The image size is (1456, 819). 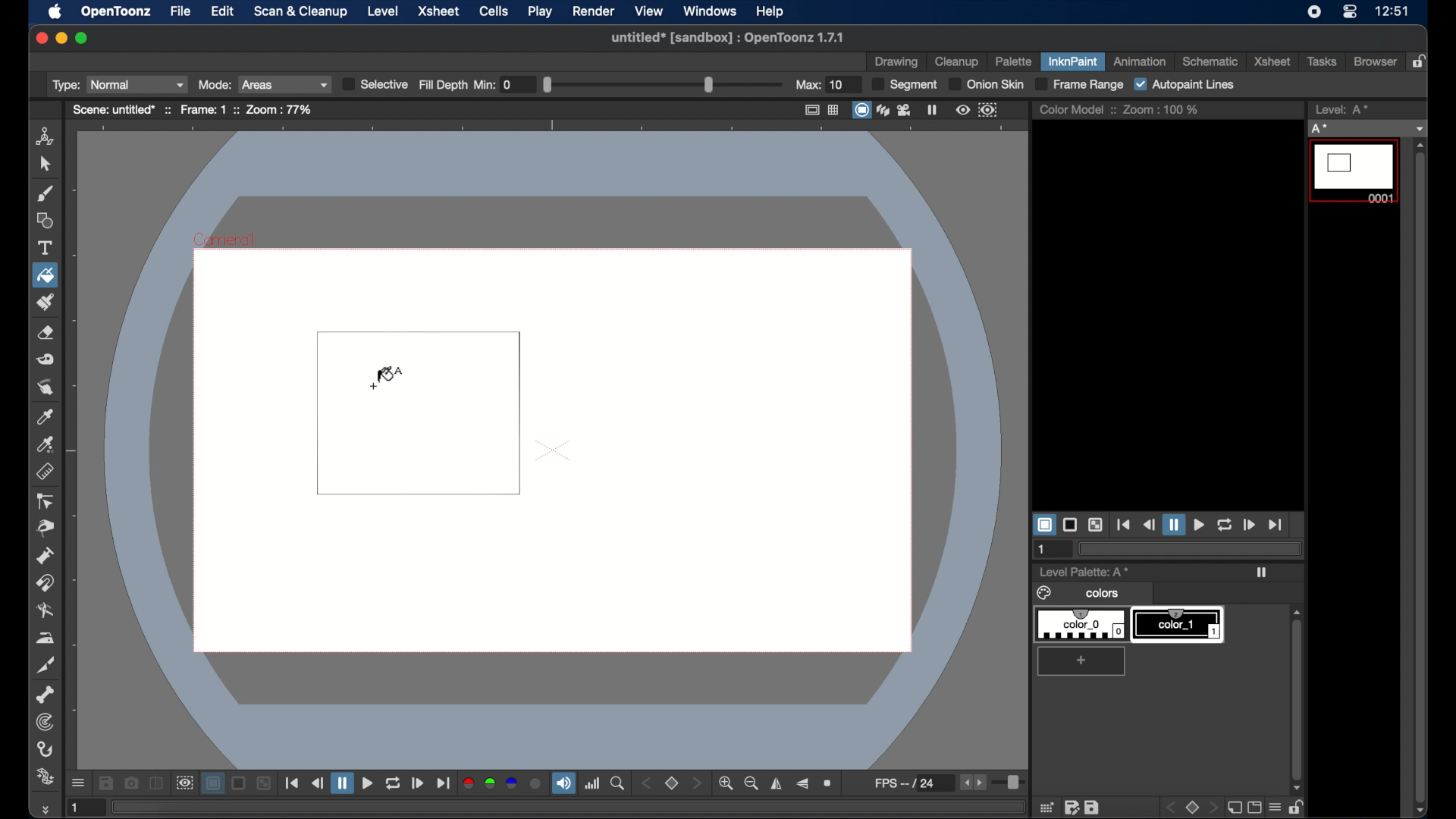 What do you see at coordinates (1366, 129) in the screenshot?
I see `no current level ` at bounding box center [1366, 129].